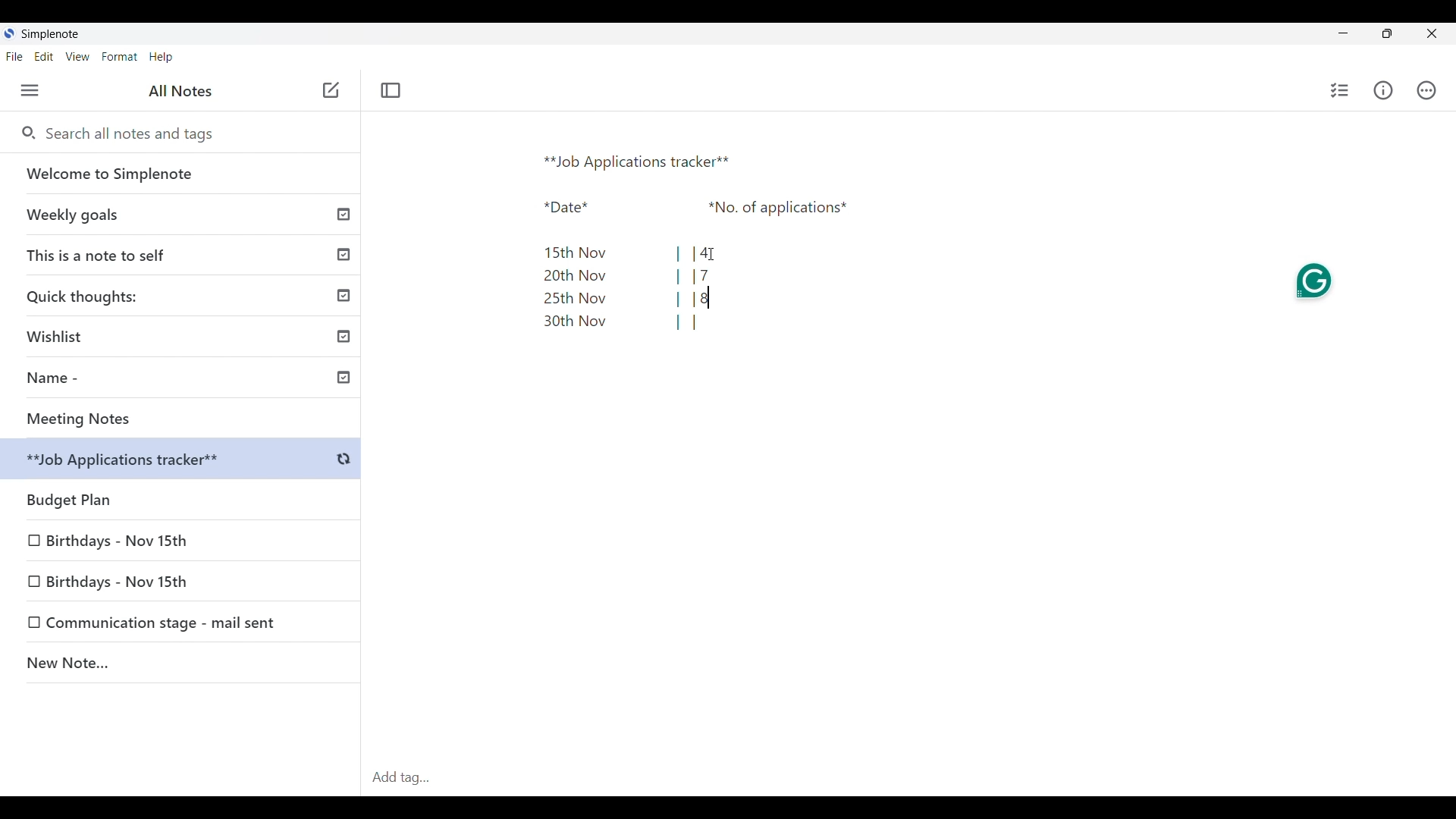 This screenshot has height=819, width=1456. Describe the element at coordinates (14, 56) in the screenshot. I see `File` at that location.